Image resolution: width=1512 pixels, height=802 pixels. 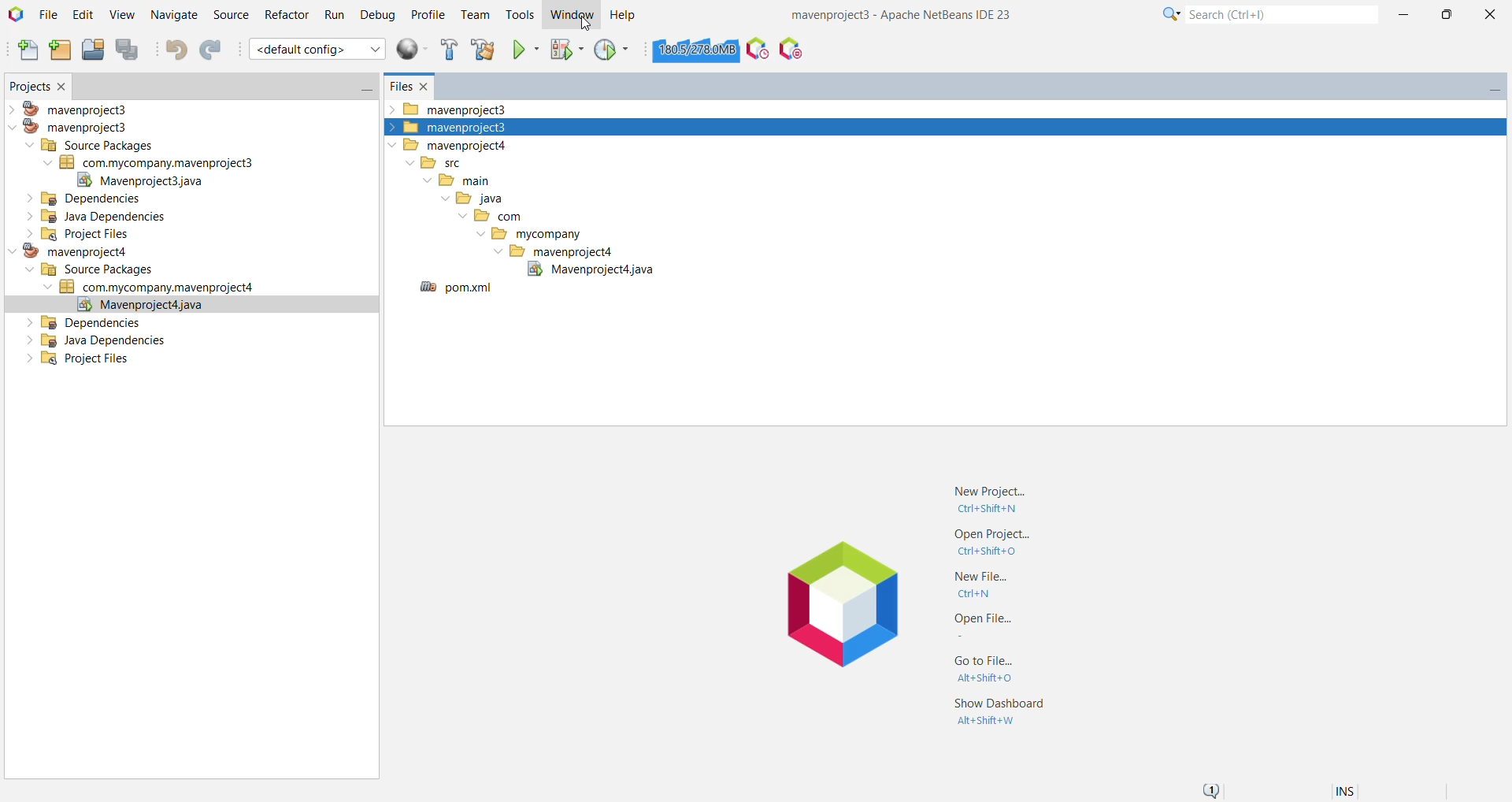 What do you see at coordinates (450, 128) in the screenshot?
I see `mavenproject3` at bounding box center [450, 128].